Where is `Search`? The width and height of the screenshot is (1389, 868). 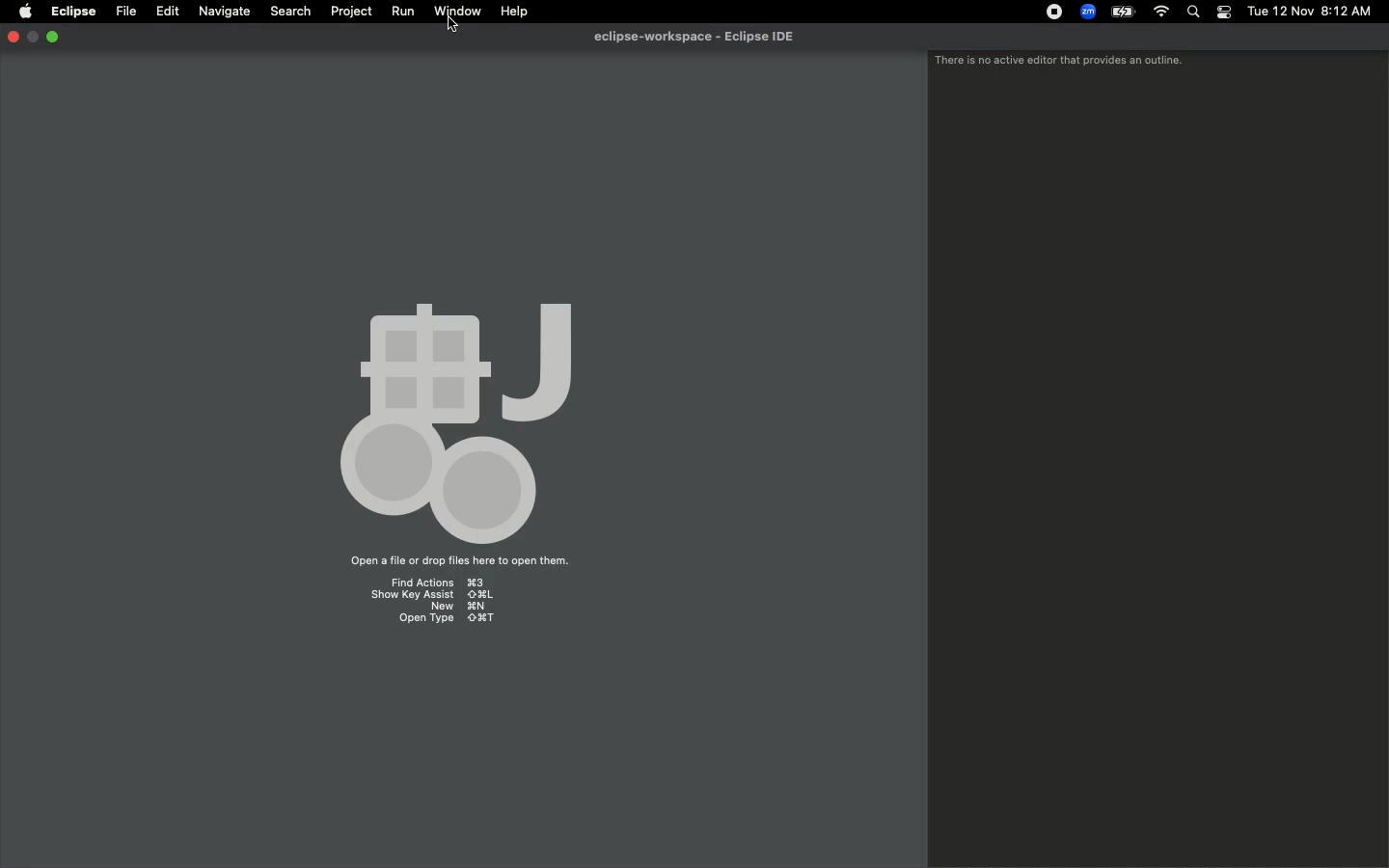
Search is located at coordinates (1195, 13).